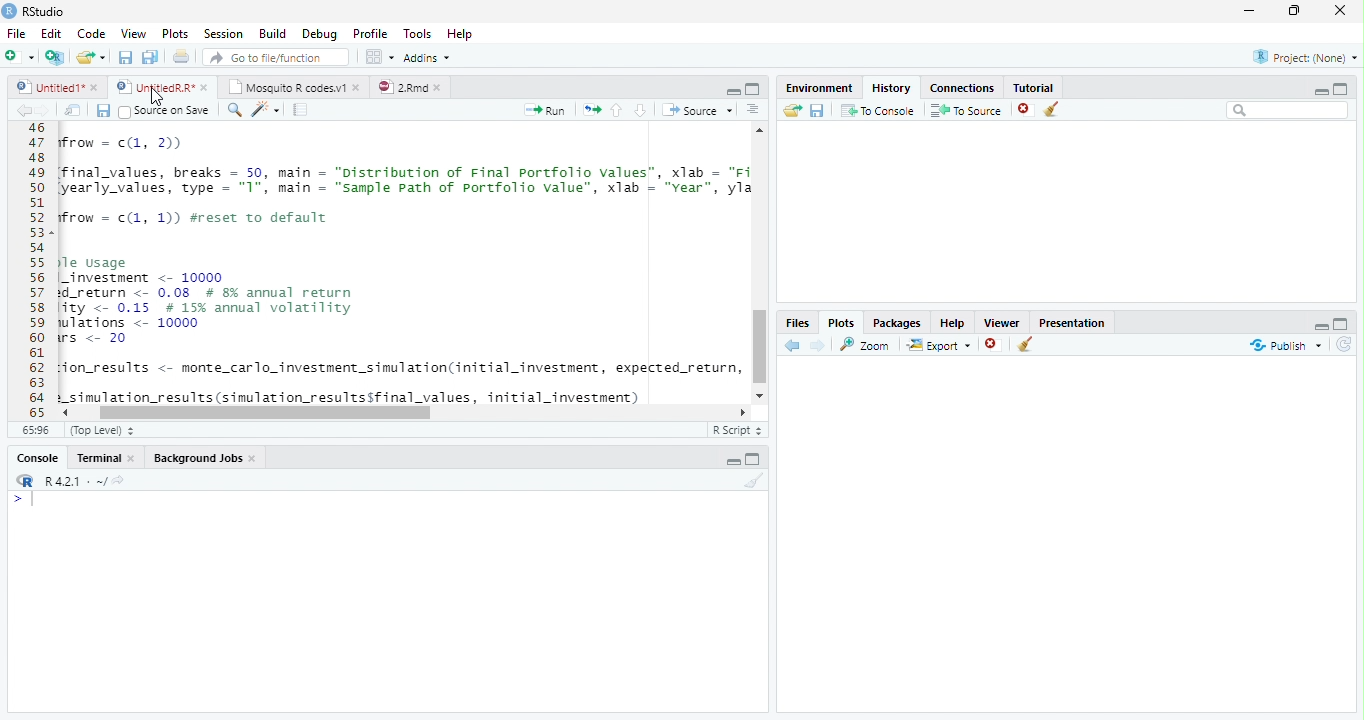 This screenshot has width=1364, height=720. Describe the element at coordinates (793, 345) in the screenshot. I see `Go to previous plot` at that location.